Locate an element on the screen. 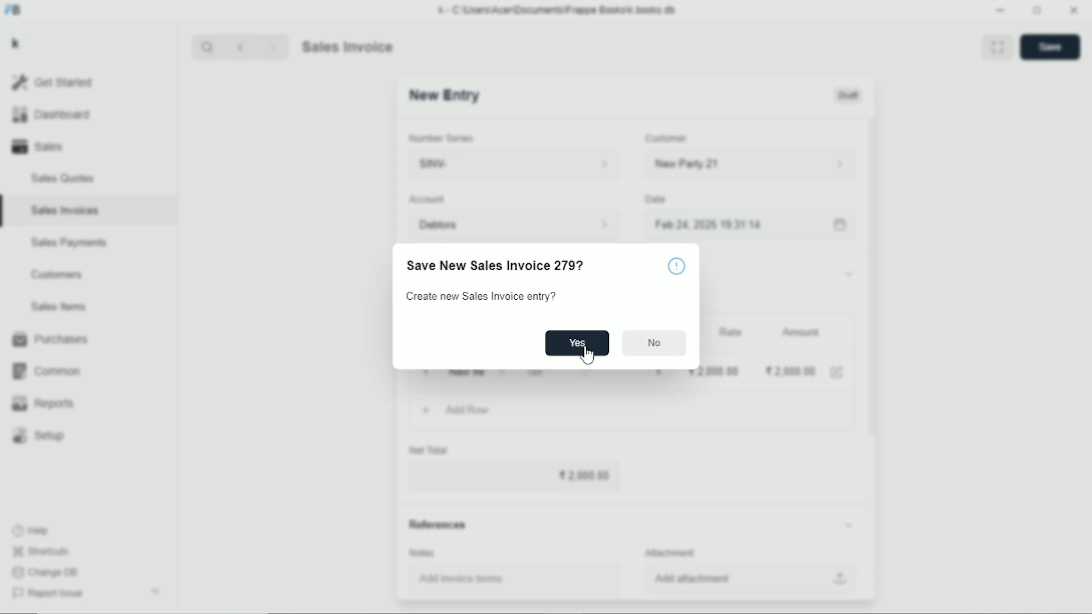 The image size is (1092, 614). Reports is located at coordinates (42, 404).